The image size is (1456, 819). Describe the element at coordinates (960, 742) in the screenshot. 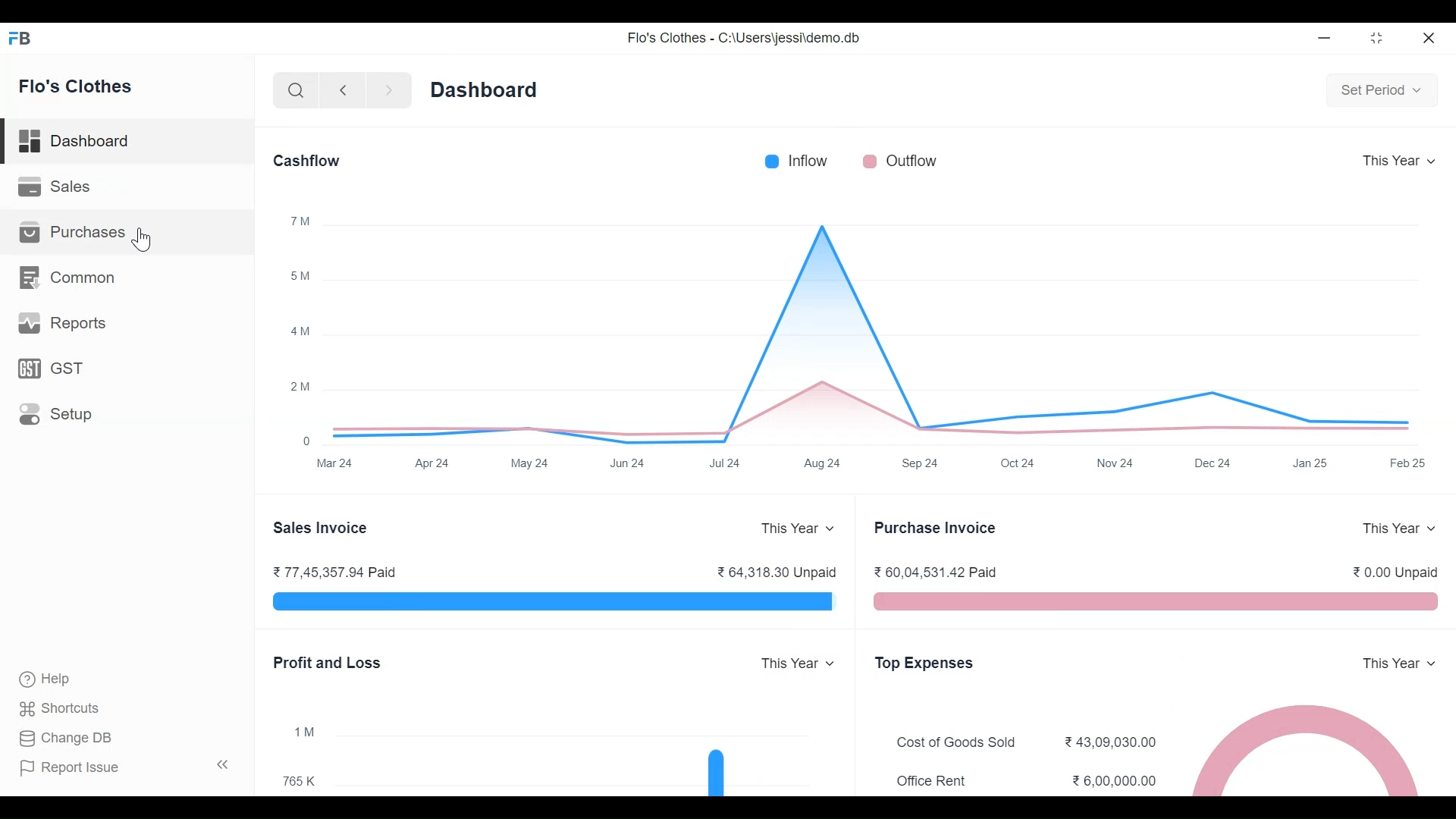

I see `Cost of Goods Sold` at that location.